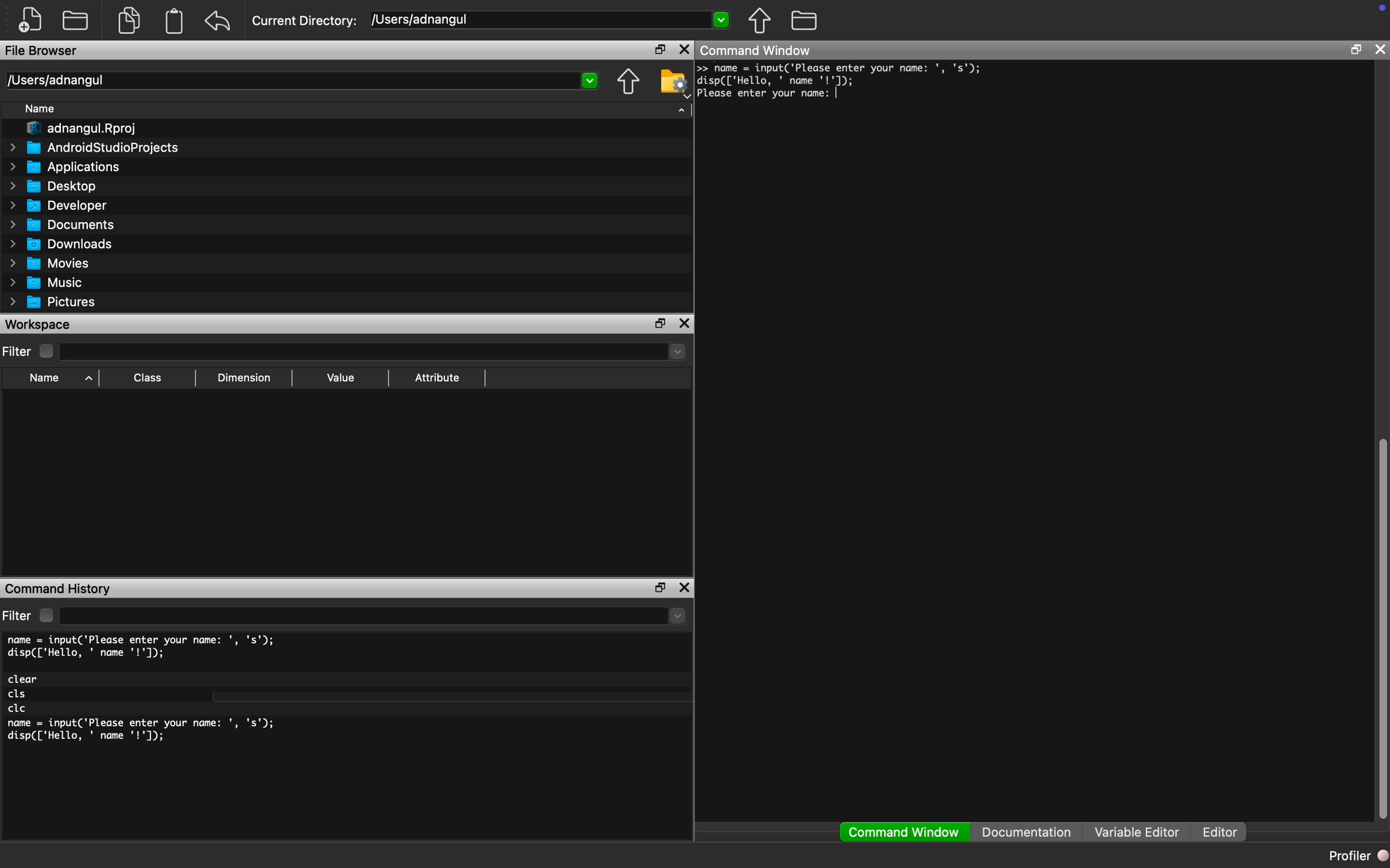 This screenshot has width=1390, height=868. I want to click on close, so click(1380, 49).